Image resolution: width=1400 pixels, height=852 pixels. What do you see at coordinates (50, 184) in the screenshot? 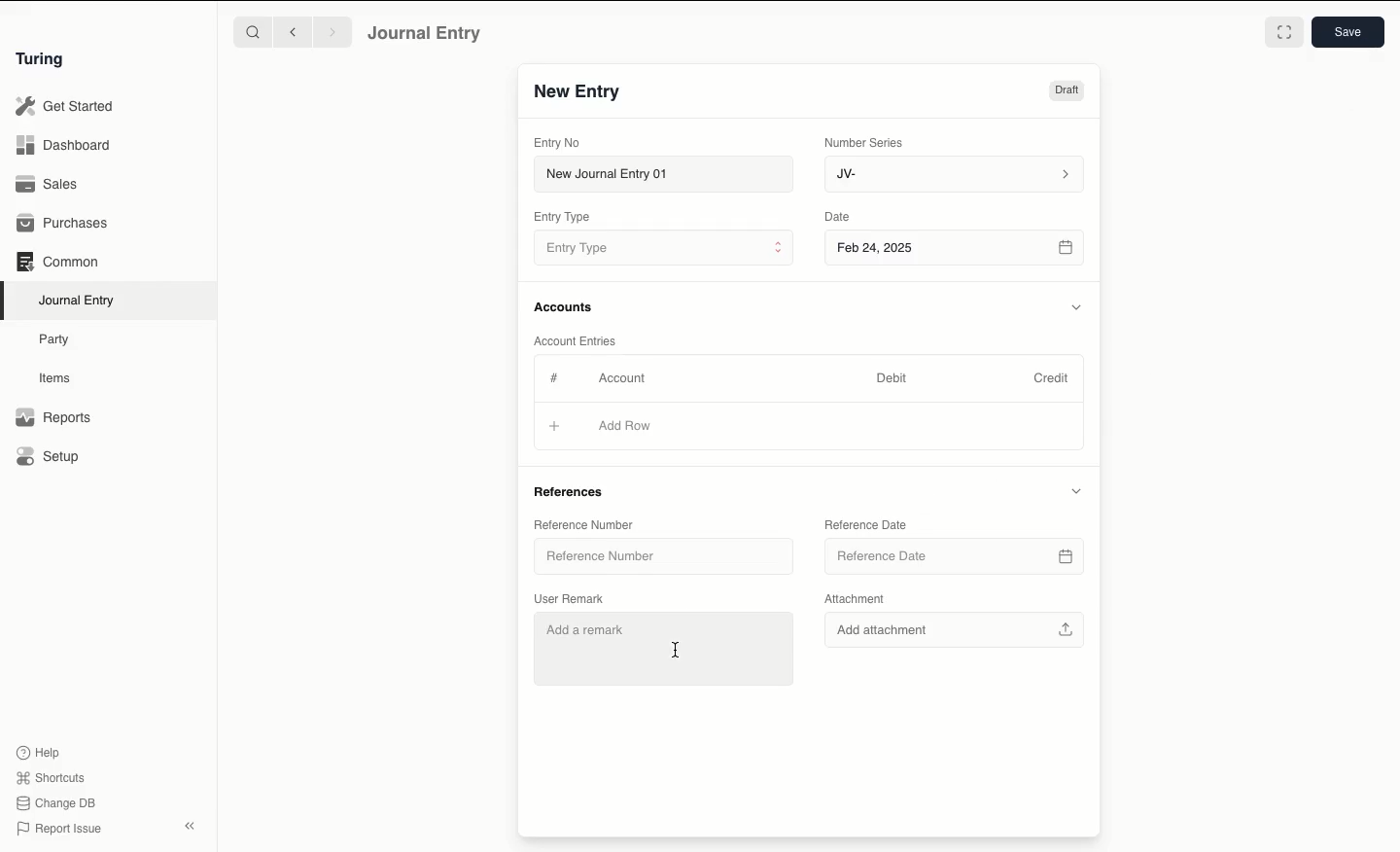
I see `Sales` at bounding box center [50, 184].